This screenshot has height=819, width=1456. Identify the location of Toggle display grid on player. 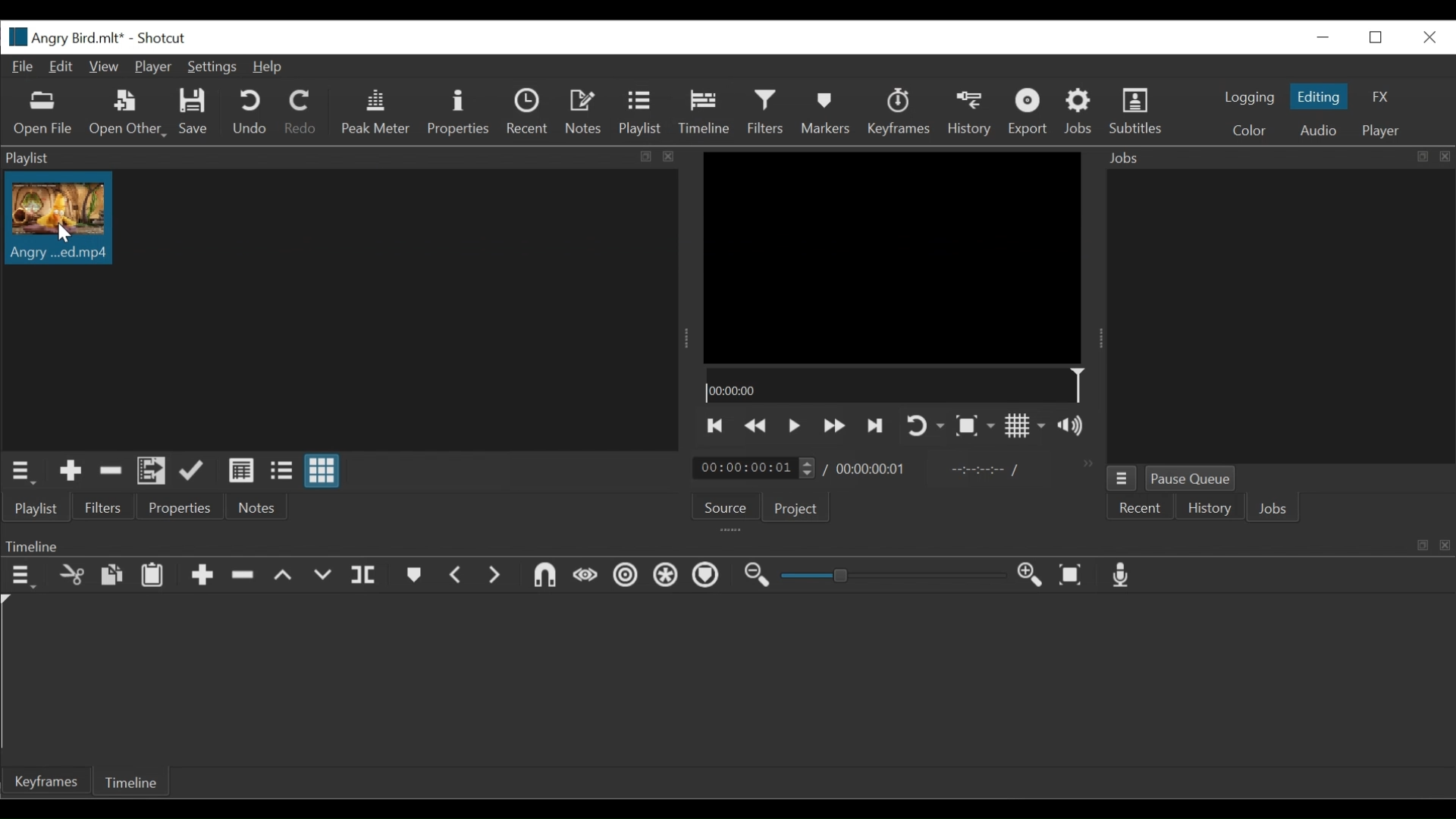
(1026, 426).